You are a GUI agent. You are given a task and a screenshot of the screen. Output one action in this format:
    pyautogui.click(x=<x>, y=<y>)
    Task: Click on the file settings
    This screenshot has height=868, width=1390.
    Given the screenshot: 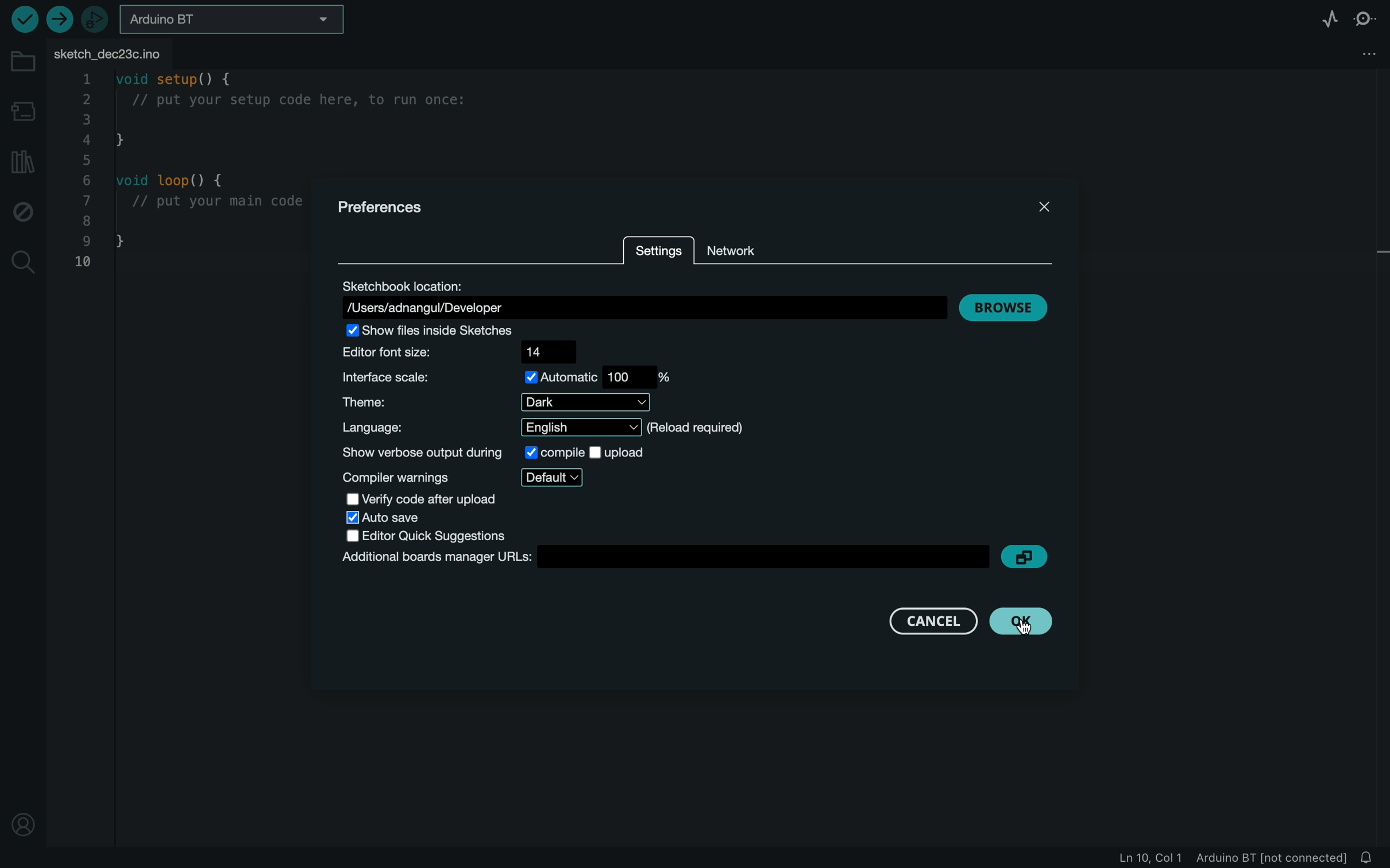 What is the action you would take?
    pyautogui.click(x=1364, y=53)
    